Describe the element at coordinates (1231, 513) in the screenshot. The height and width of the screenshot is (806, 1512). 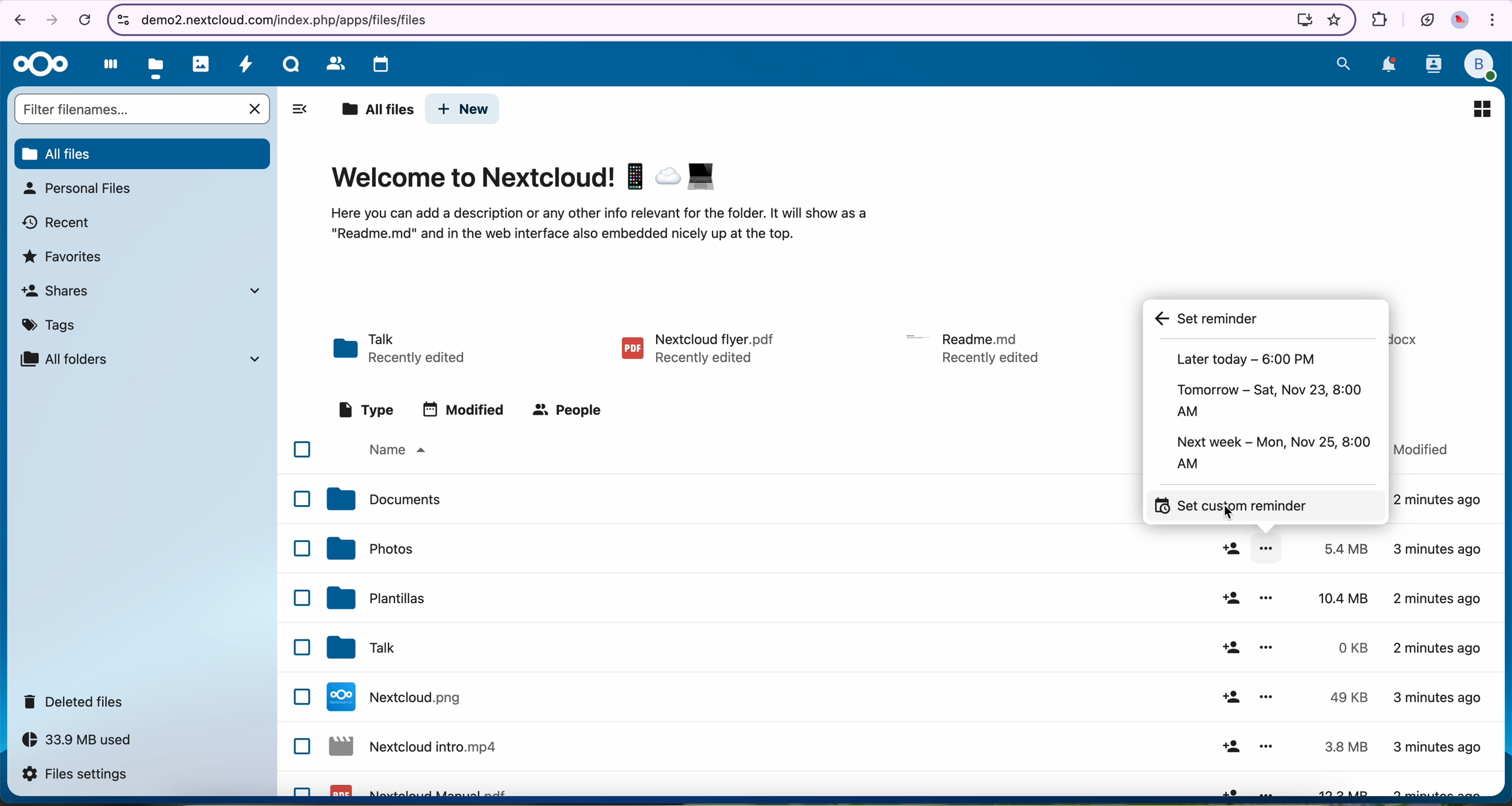
I see `cursor` at that location.